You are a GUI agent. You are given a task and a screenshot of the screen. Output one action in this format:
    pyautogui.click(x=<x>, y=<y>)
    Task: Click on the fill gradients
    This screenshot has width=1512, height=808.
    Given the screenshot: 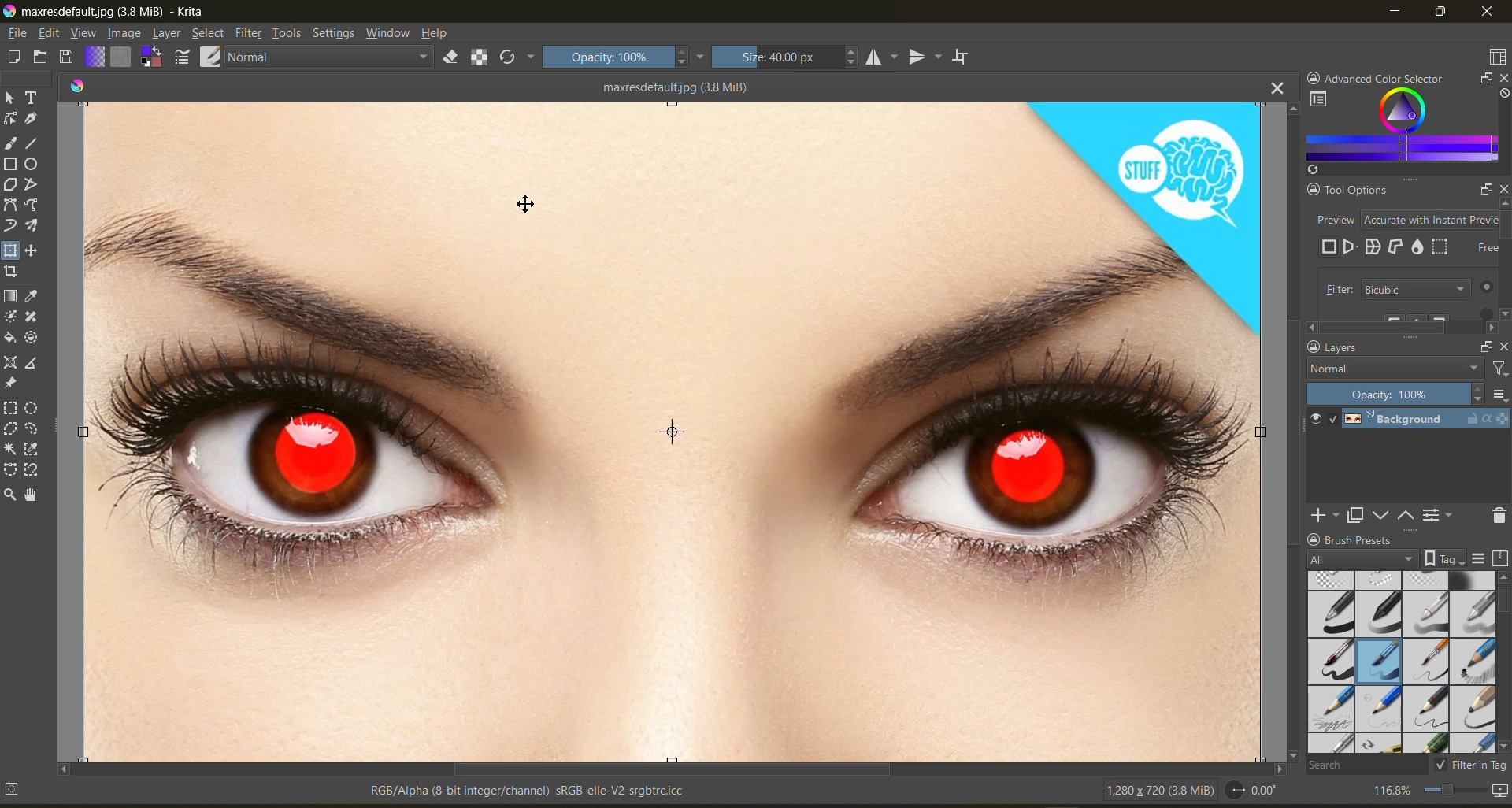 What is the action you would take?
    pyautogui.click(x=97, y=56)
    